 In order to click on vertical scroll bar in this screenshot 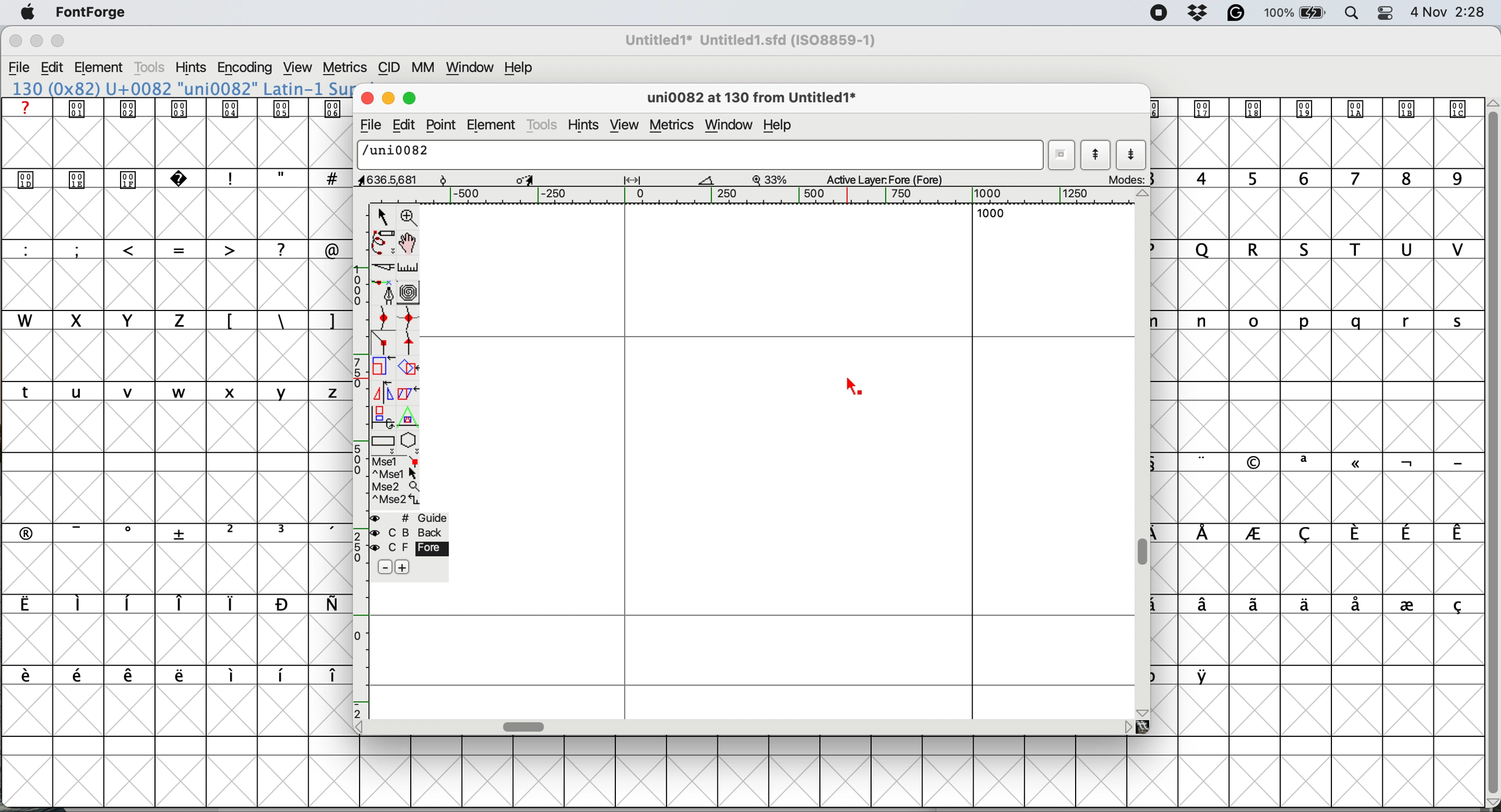, I will do `click(1146, 553)`.